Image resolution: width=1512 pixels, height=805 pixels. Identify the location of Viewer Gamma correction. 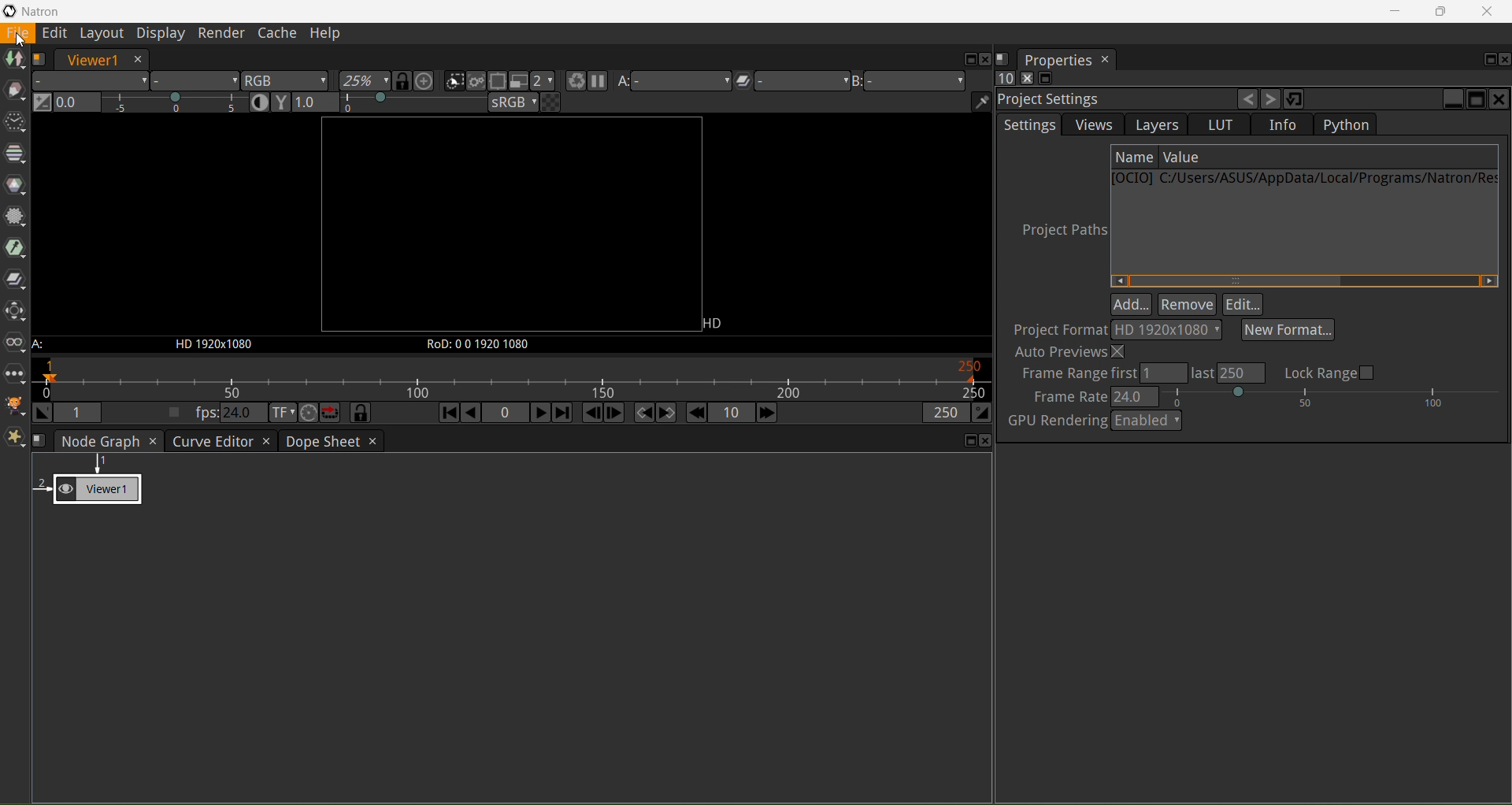
(283, 103).